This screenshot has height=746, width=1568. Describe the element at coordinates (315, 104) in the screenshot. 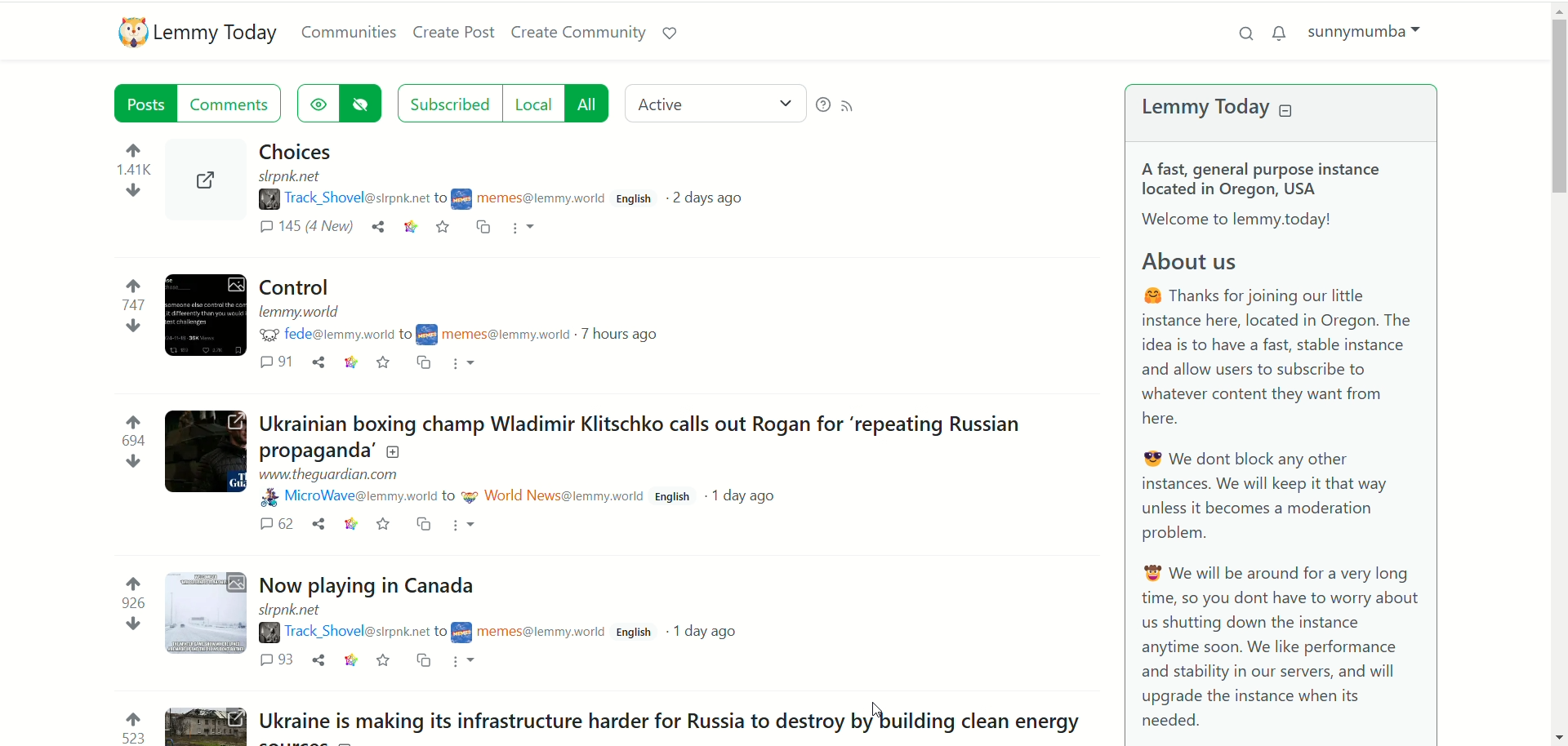

I see `show hidden posts` at that location.